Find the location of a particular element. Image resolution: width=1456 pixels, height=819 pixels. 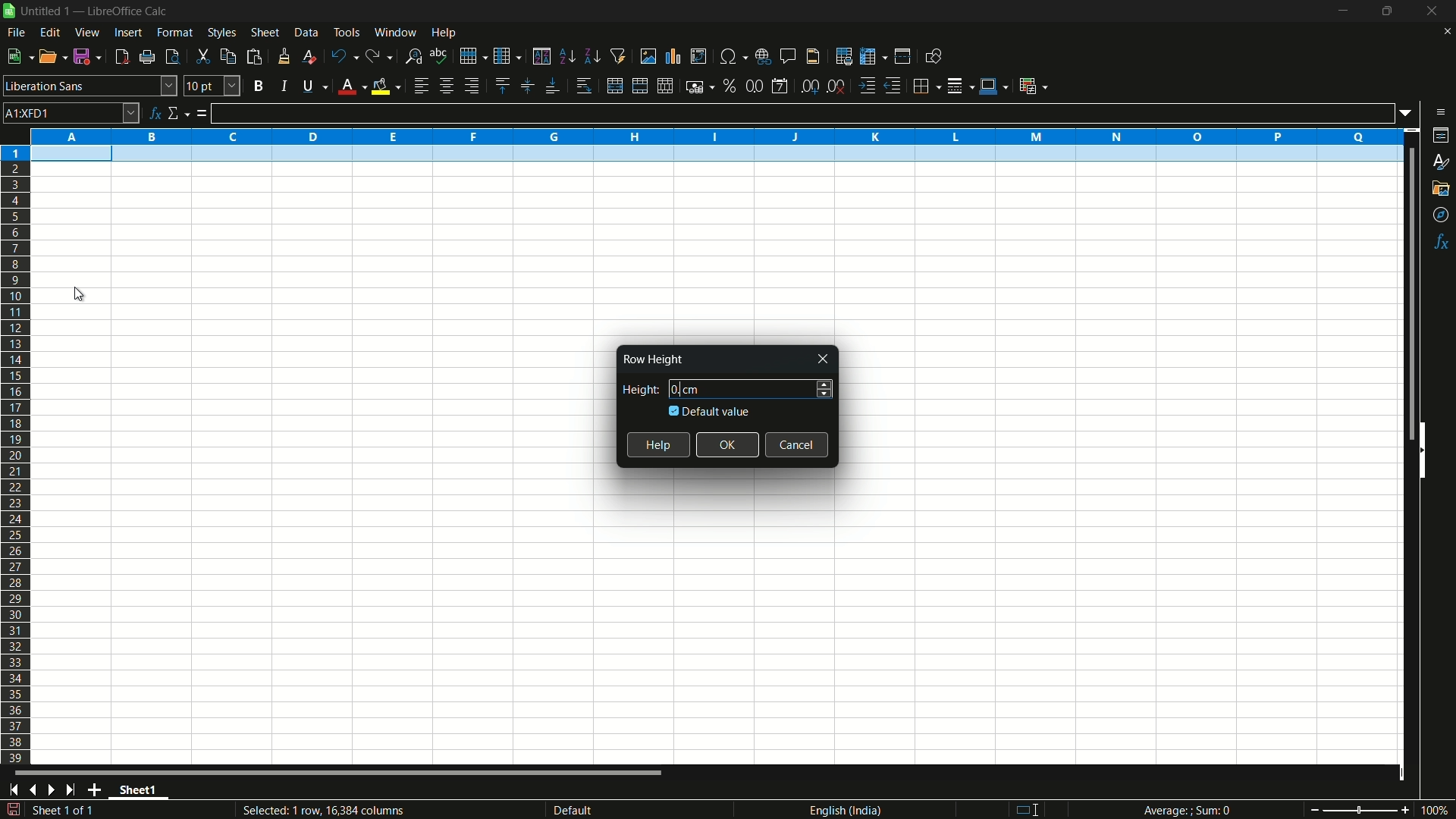

align top is located at coordinates (501, 86).